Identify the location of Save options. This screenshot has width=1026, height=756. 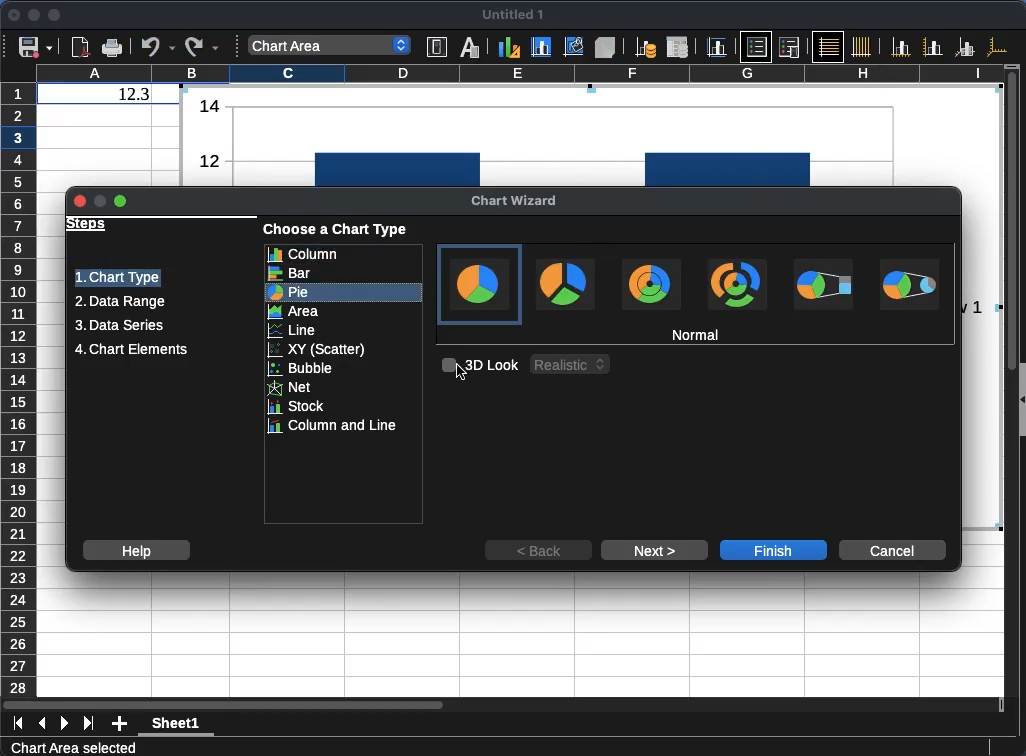
(36, 47).